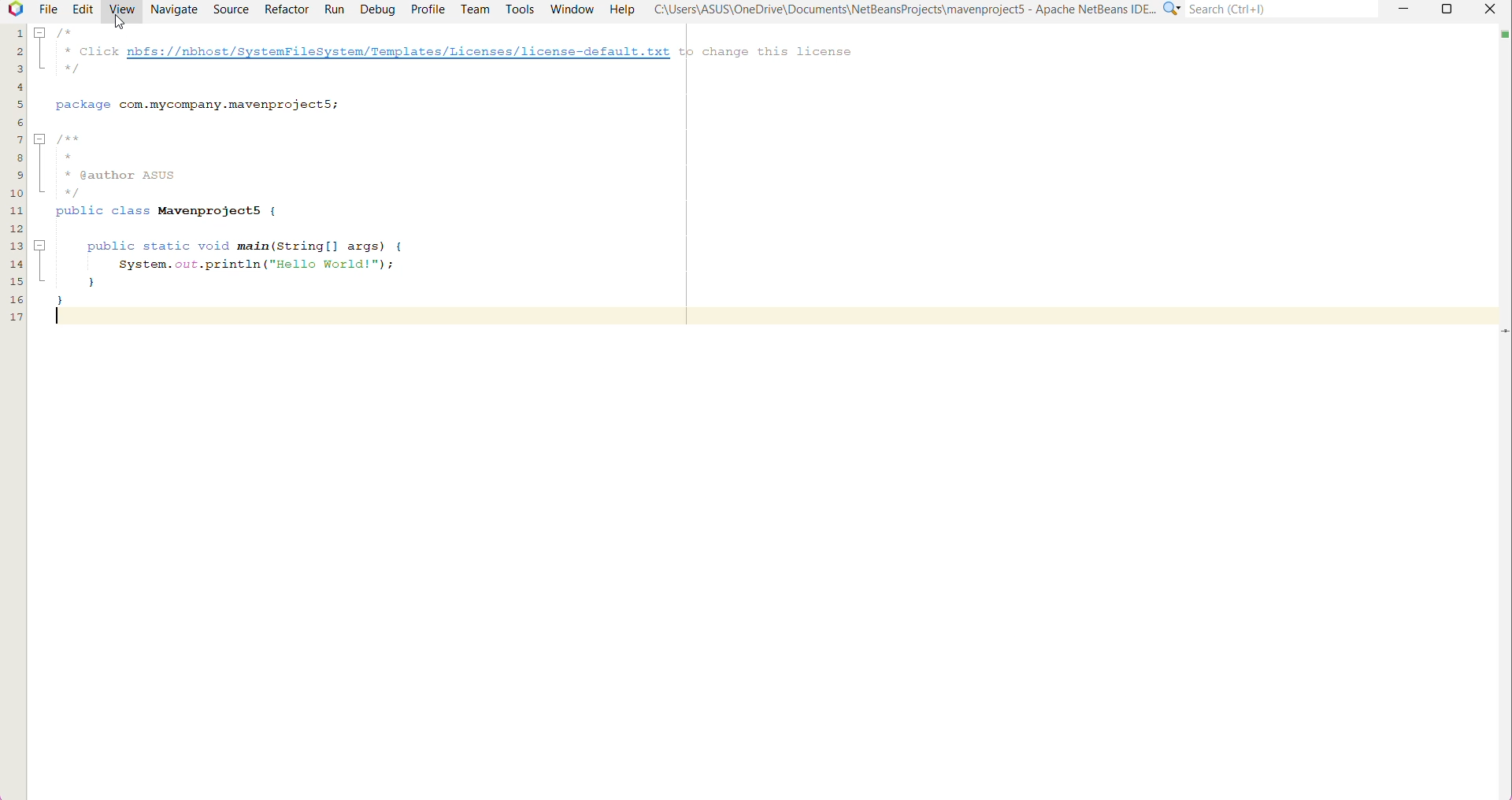 This screenshot has height=800, width=1512. What do you see at coordinates (1445, 9) in the screenshot?
I see `Maximize` at bounding box center [1445, 9].